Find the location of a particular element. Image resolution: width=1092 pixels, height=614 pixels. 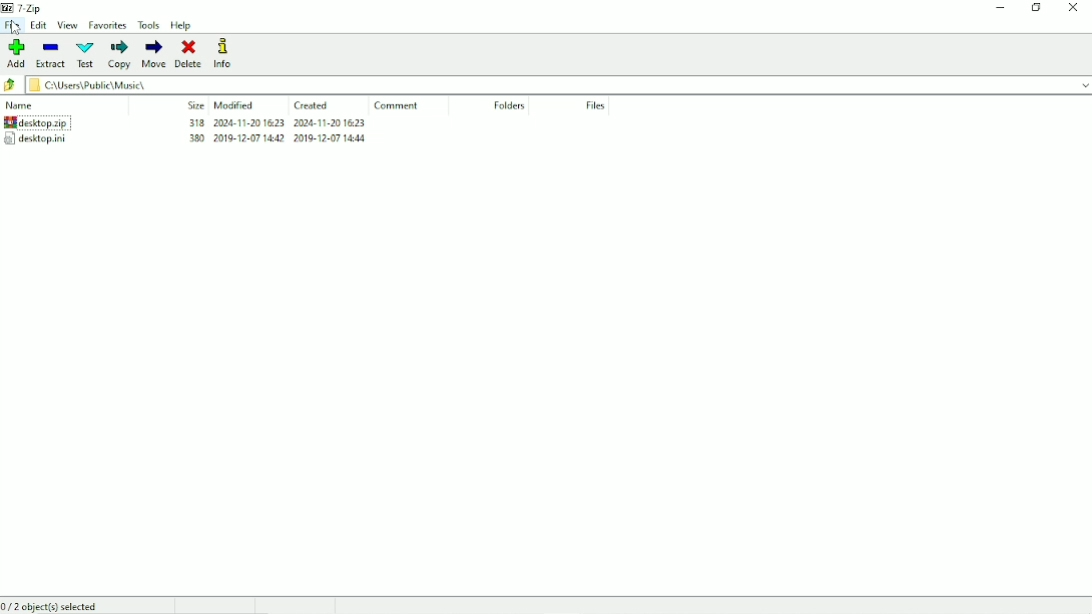

Name is located at coordinates (22, 105).